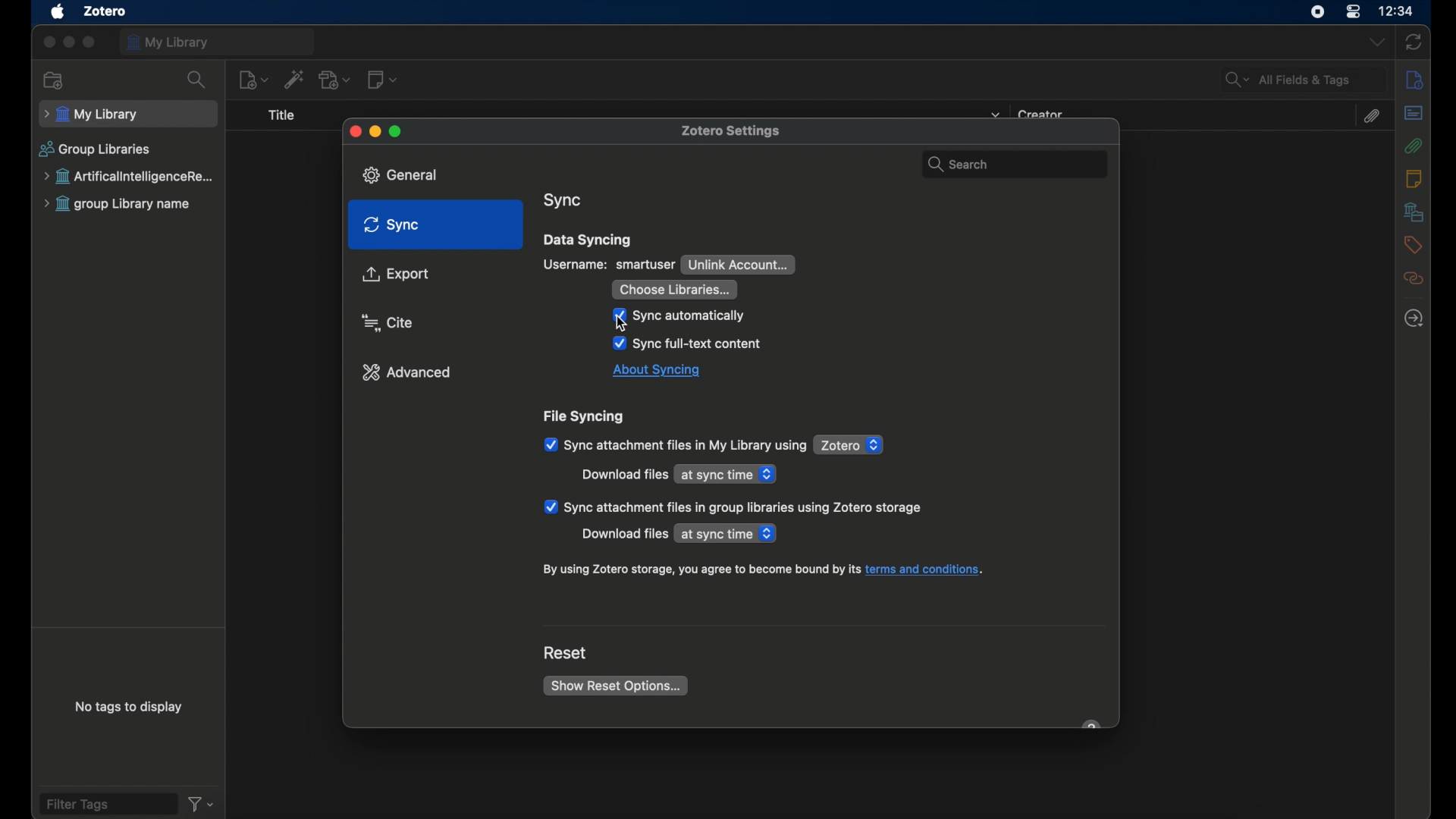 This screenshot has height=819, width=1456. What do you see at coordinates (727, 473) in the screenshot?
I see `at sync time dropdown menu` at bounding box center [727, 473].